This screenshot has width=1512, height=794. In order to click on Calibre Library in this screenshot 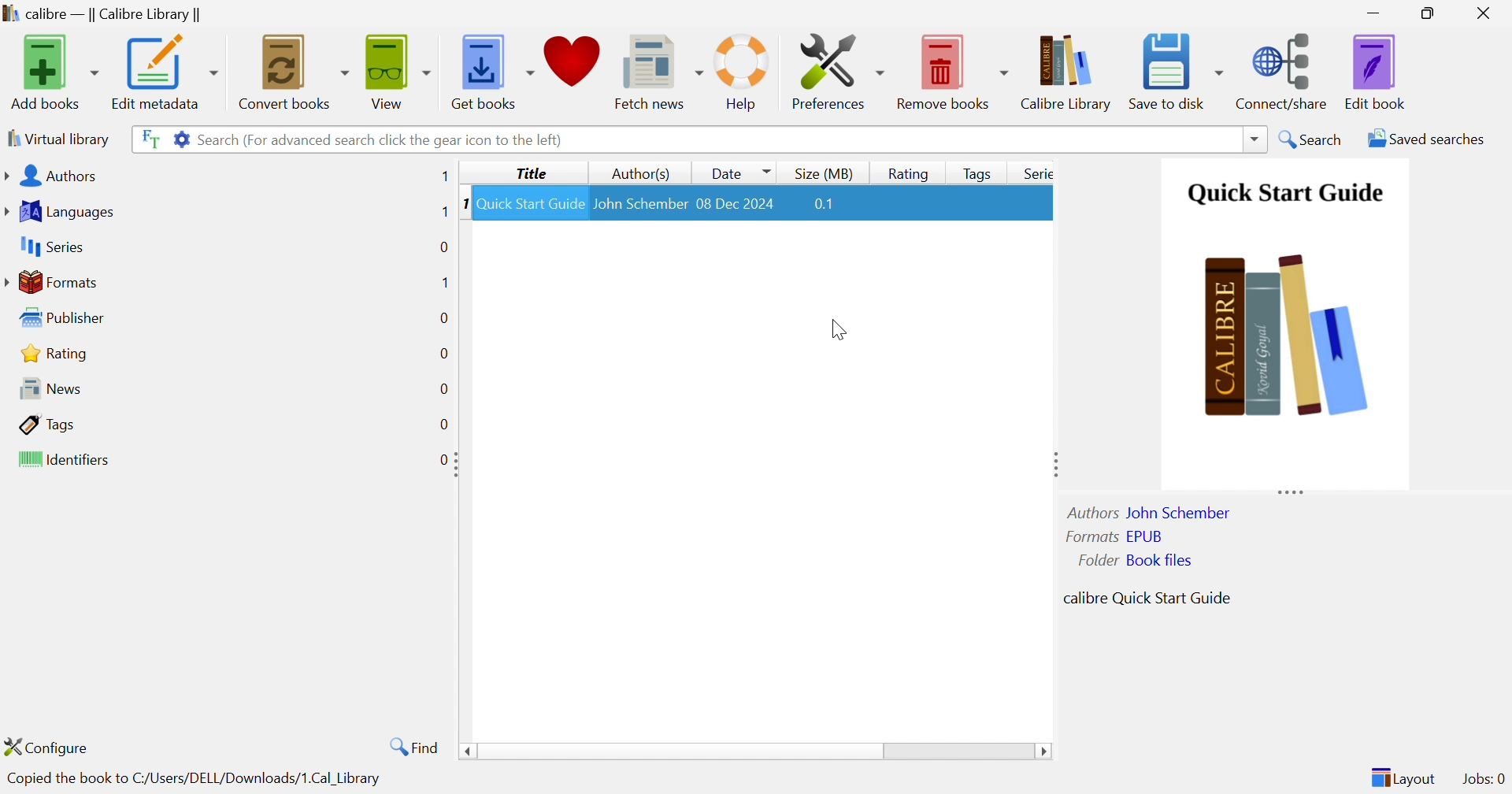, I will do `click(1066, 72)`.